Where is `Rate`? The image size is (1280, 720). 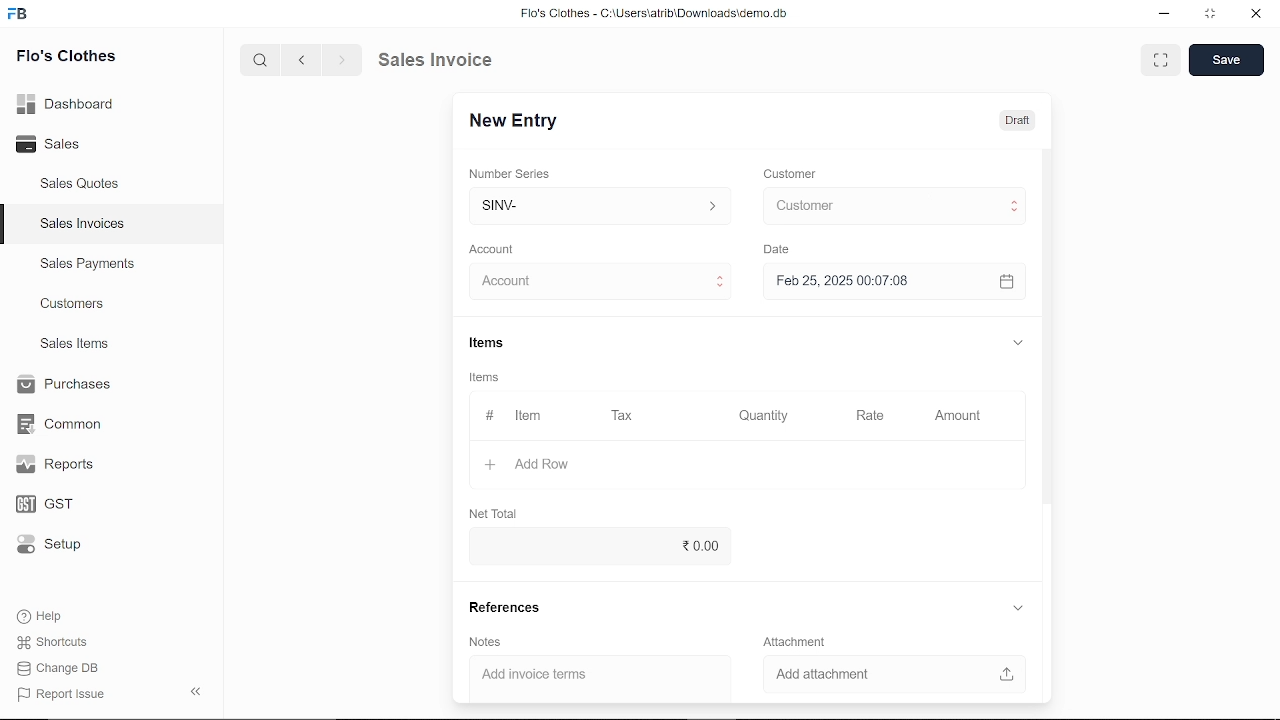 Rate is located at coordinates (850, 416).